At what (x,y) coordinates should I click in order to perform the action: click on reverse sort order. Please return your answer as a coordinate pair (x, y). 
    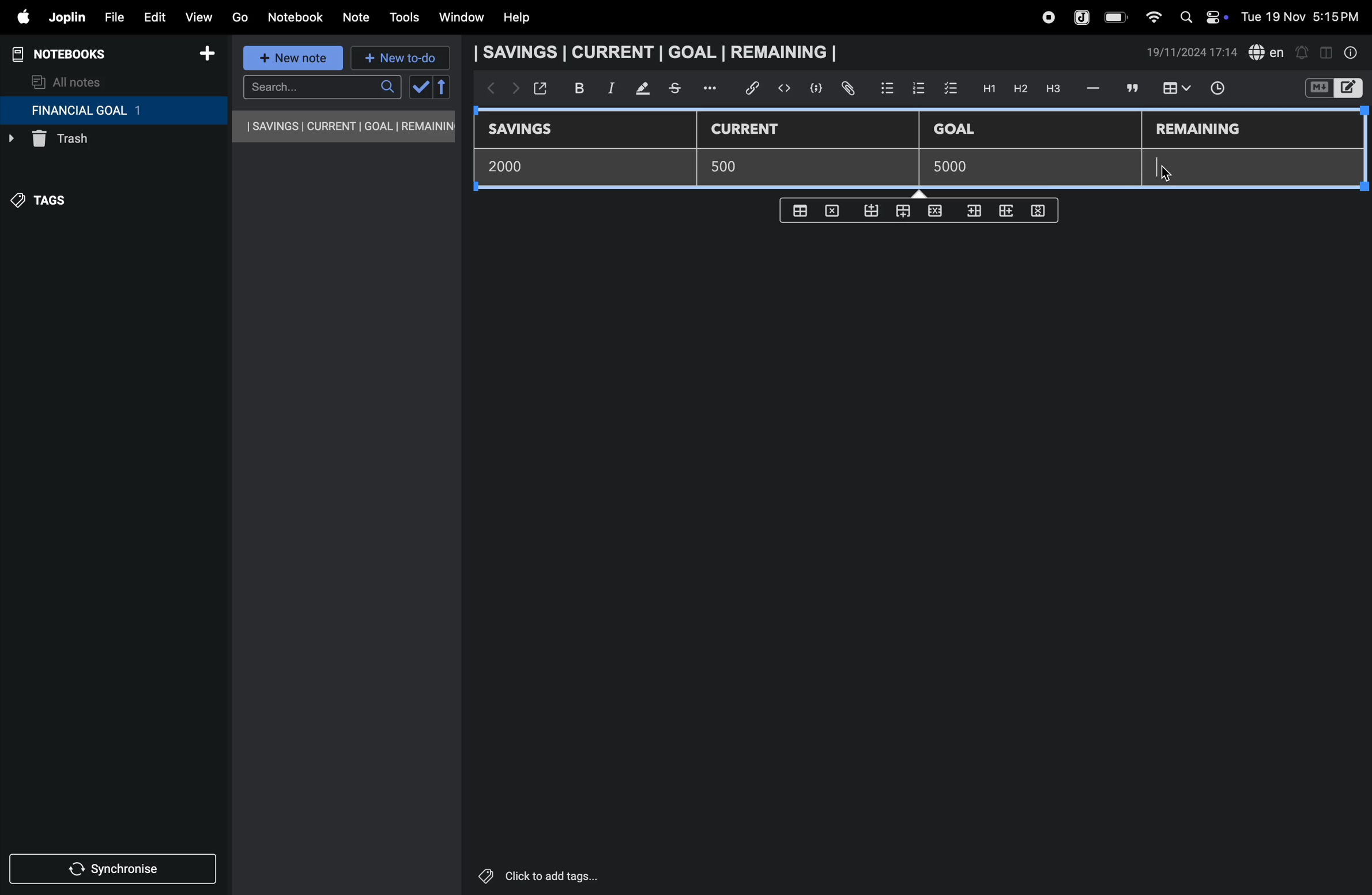
    Looking at the image, I should click on (443, 87).